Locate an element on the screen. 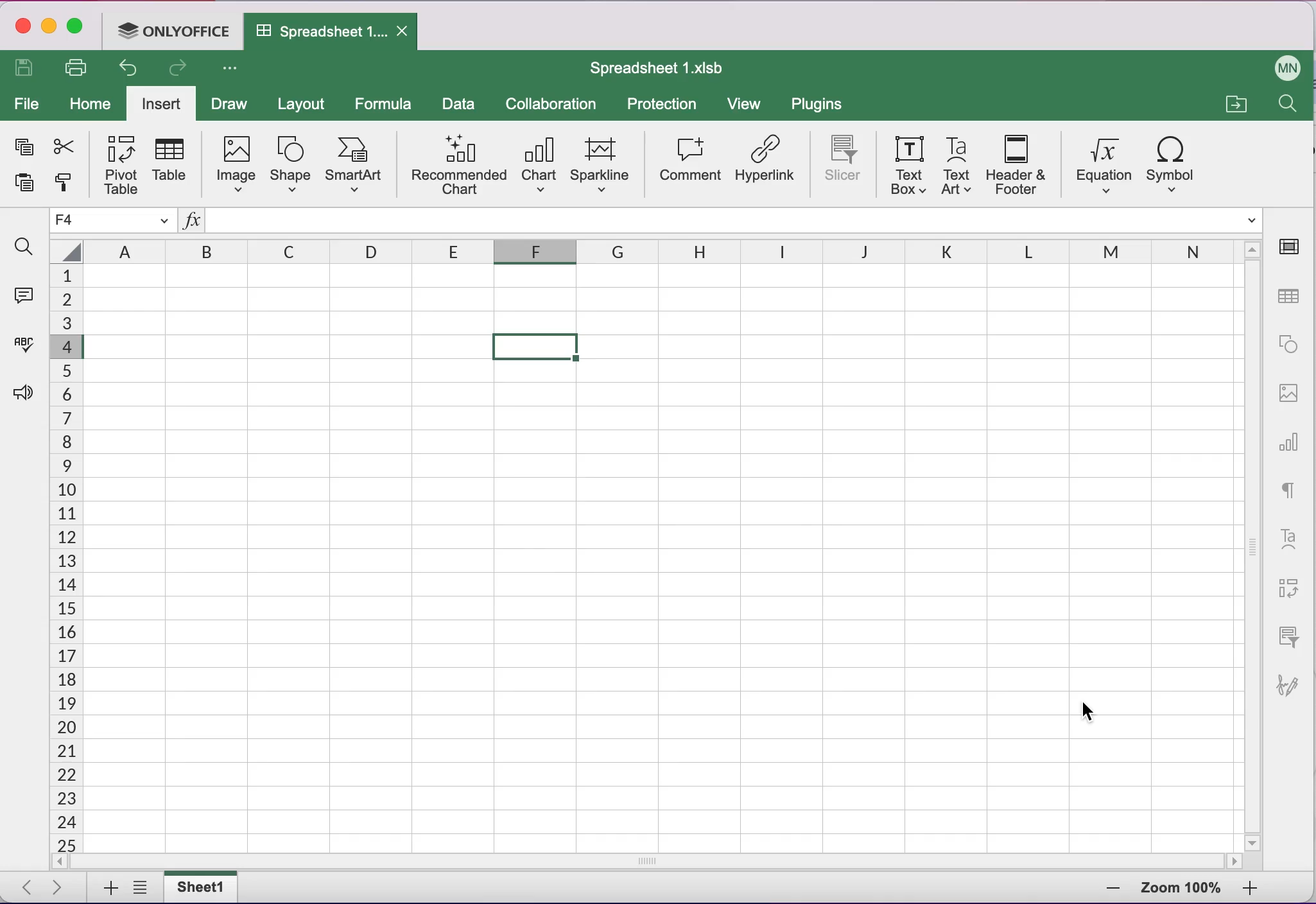 The height and width of the screenshot is (904, 1316). copy is located at coordinates (24, 147).